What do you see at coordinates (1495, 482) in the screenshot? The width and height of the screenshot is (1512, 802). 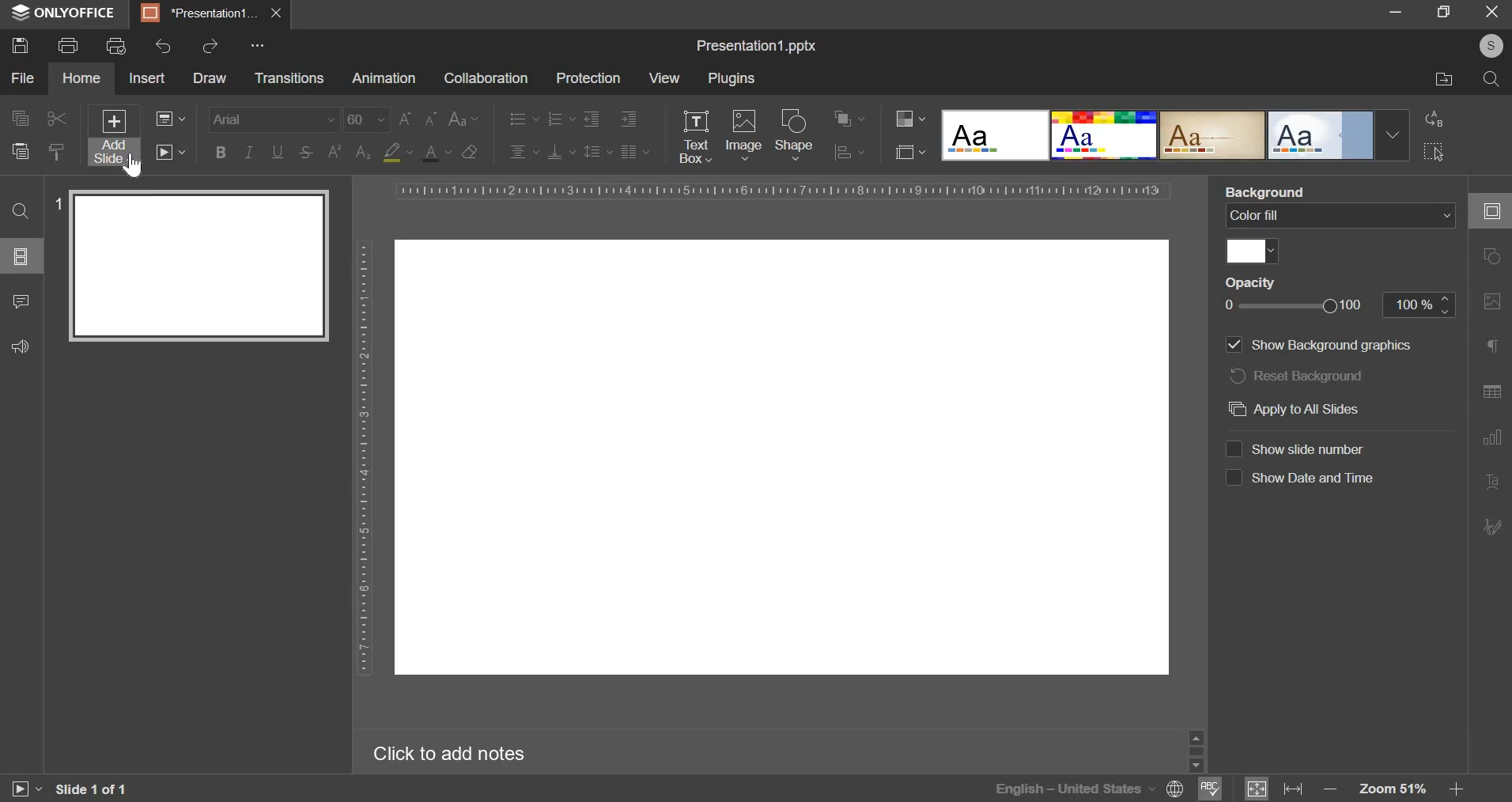 I see `text art settings` at bounding box center [1495, 482].